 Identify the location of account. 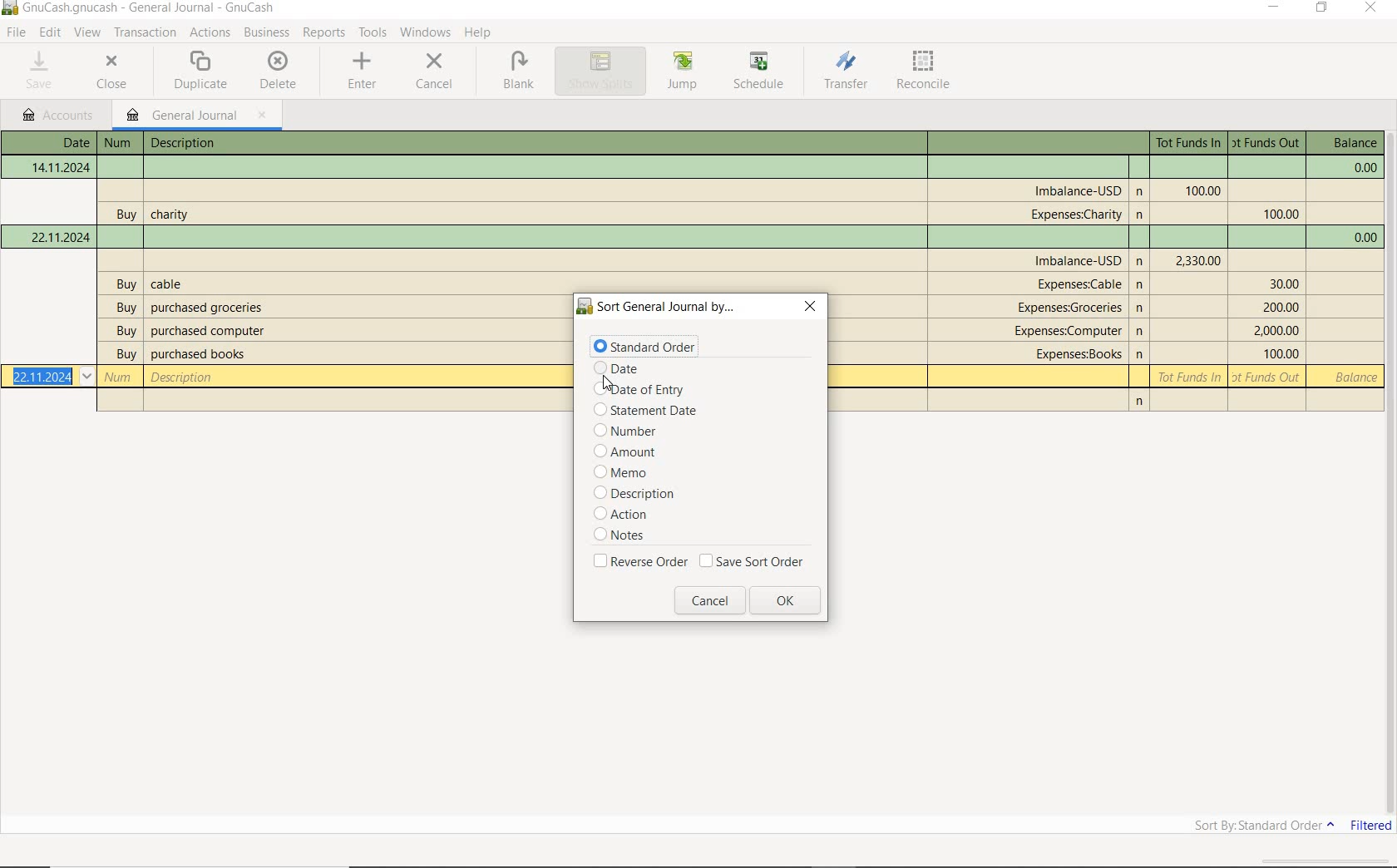
(1078, 189).